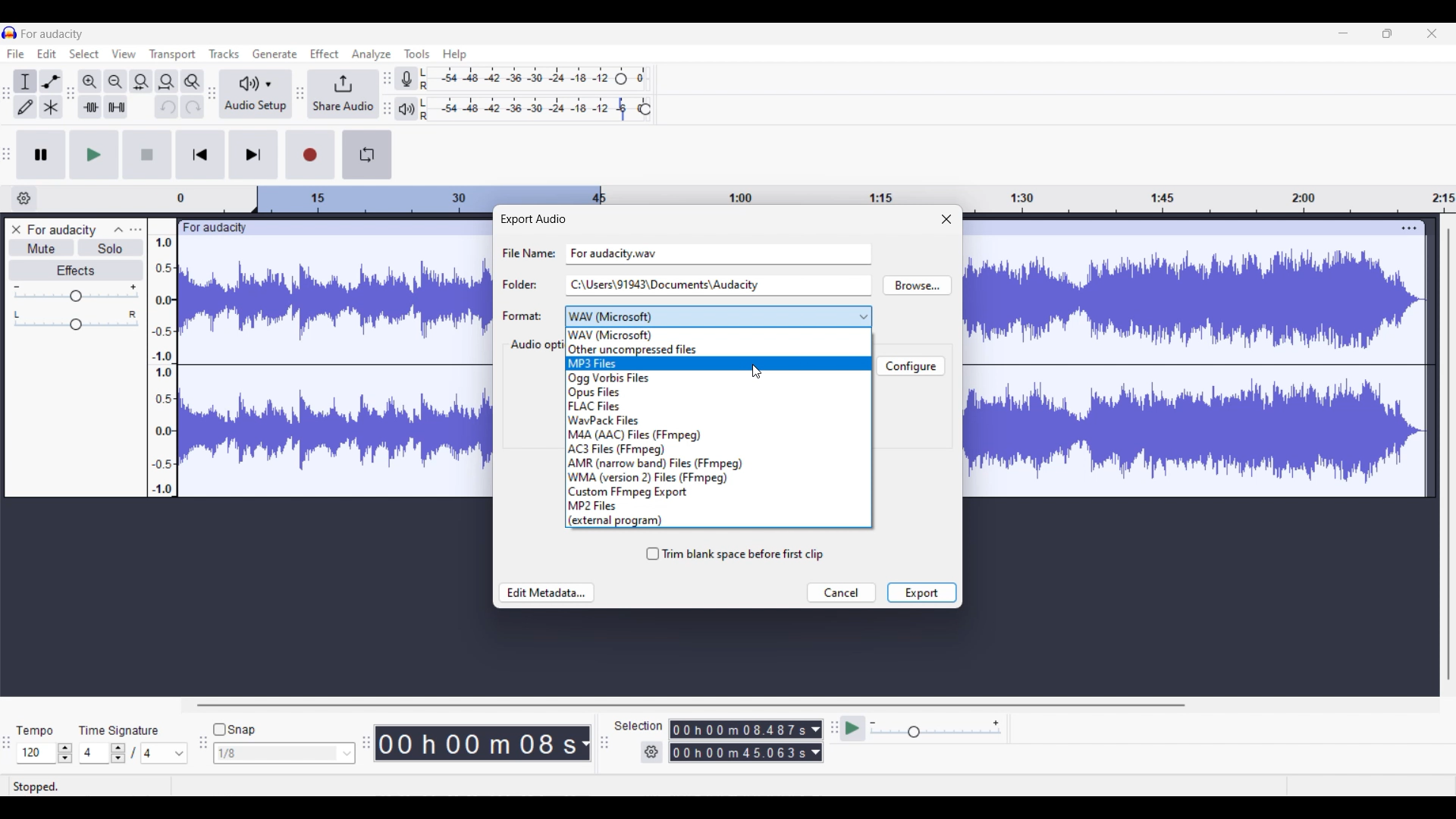 The width and height of the screenshot is (1456, 819). What do you see at coordinates (147, 154) in the screenshot?
I see `Stop` at bounding box center [147, 154].